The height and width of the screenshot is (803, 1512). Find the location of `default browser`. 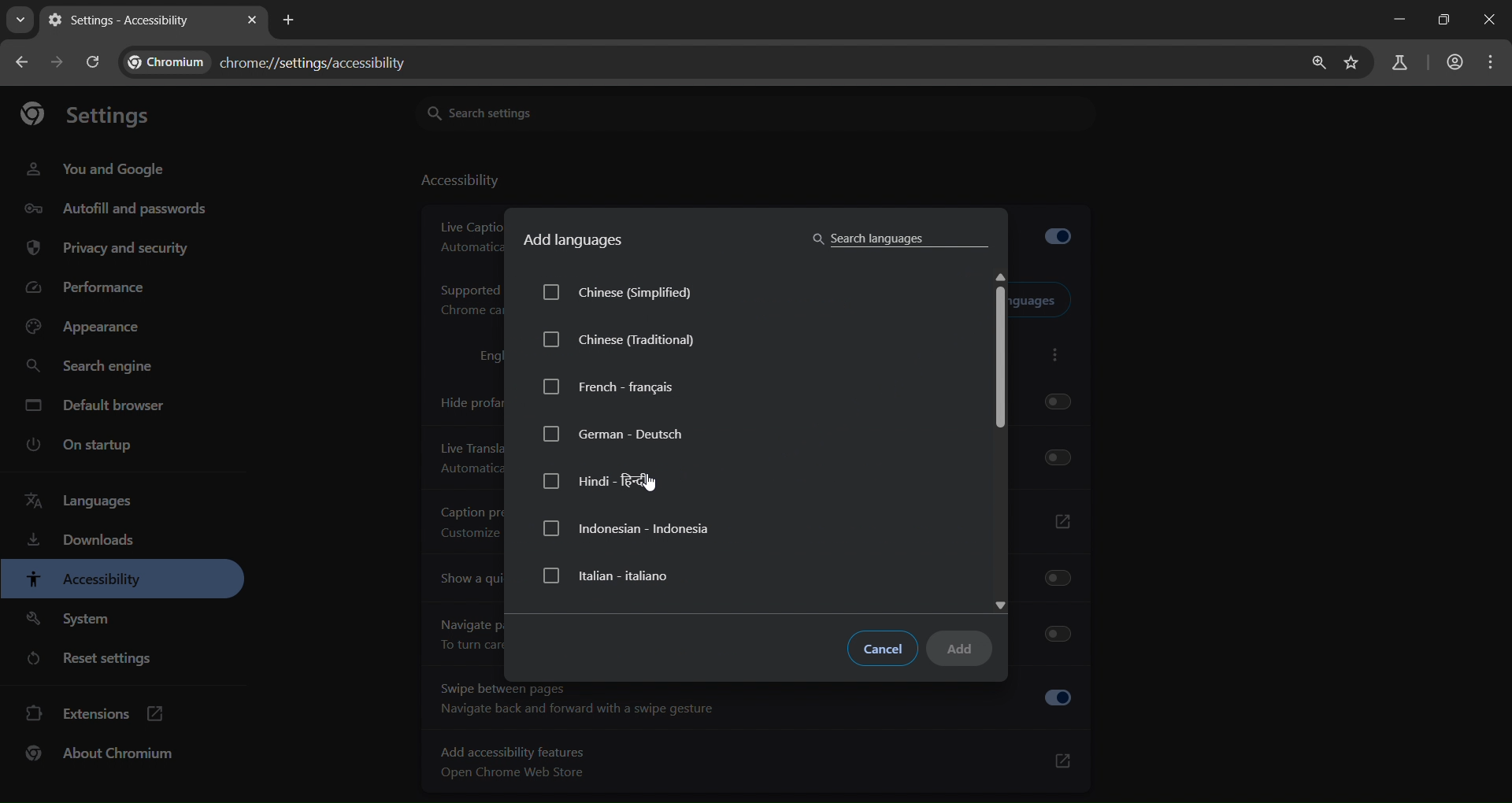

default browser is located at coordinates (97, 405).